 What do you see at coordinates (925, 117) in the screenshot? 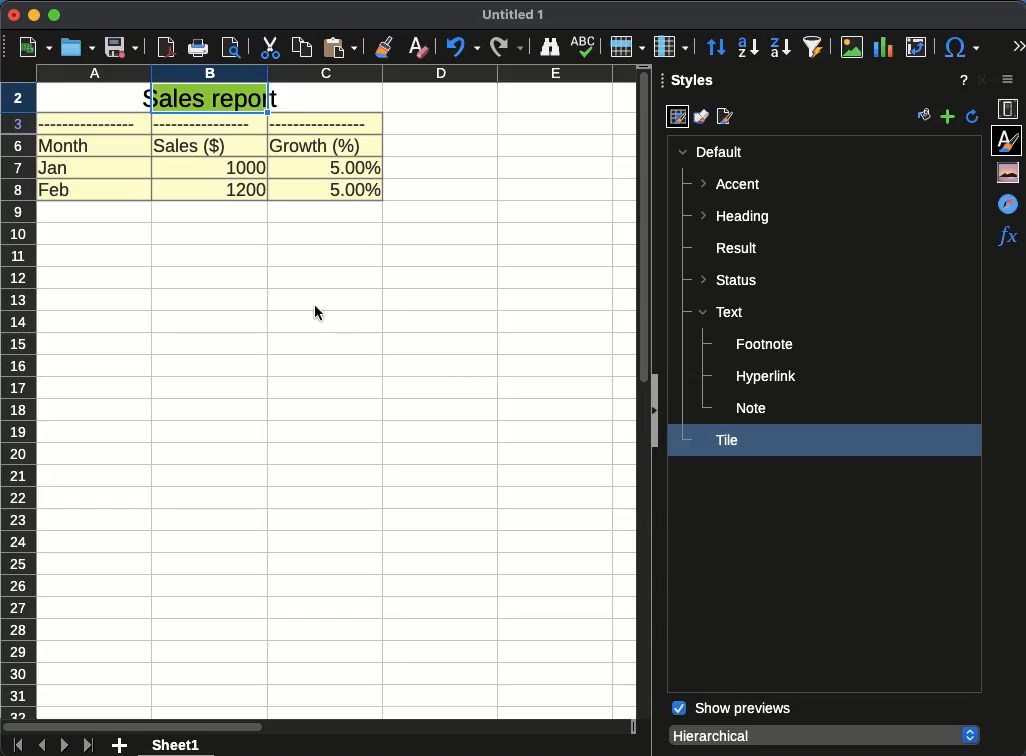
I see `fill format mode` at bounding box center [925, 117].